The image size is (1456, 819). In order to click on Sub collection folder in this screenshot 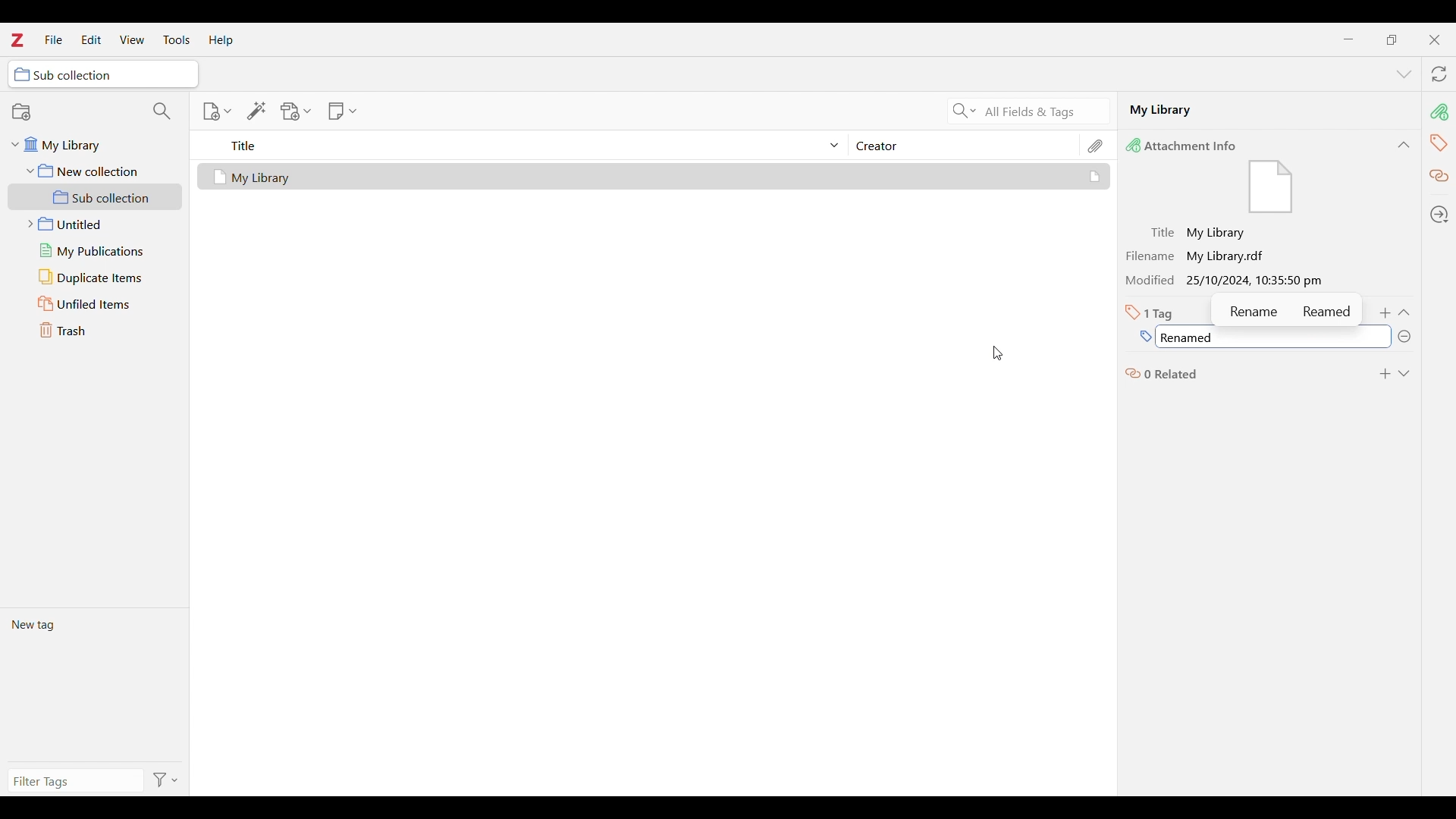, I will do `click(96, 197)`.